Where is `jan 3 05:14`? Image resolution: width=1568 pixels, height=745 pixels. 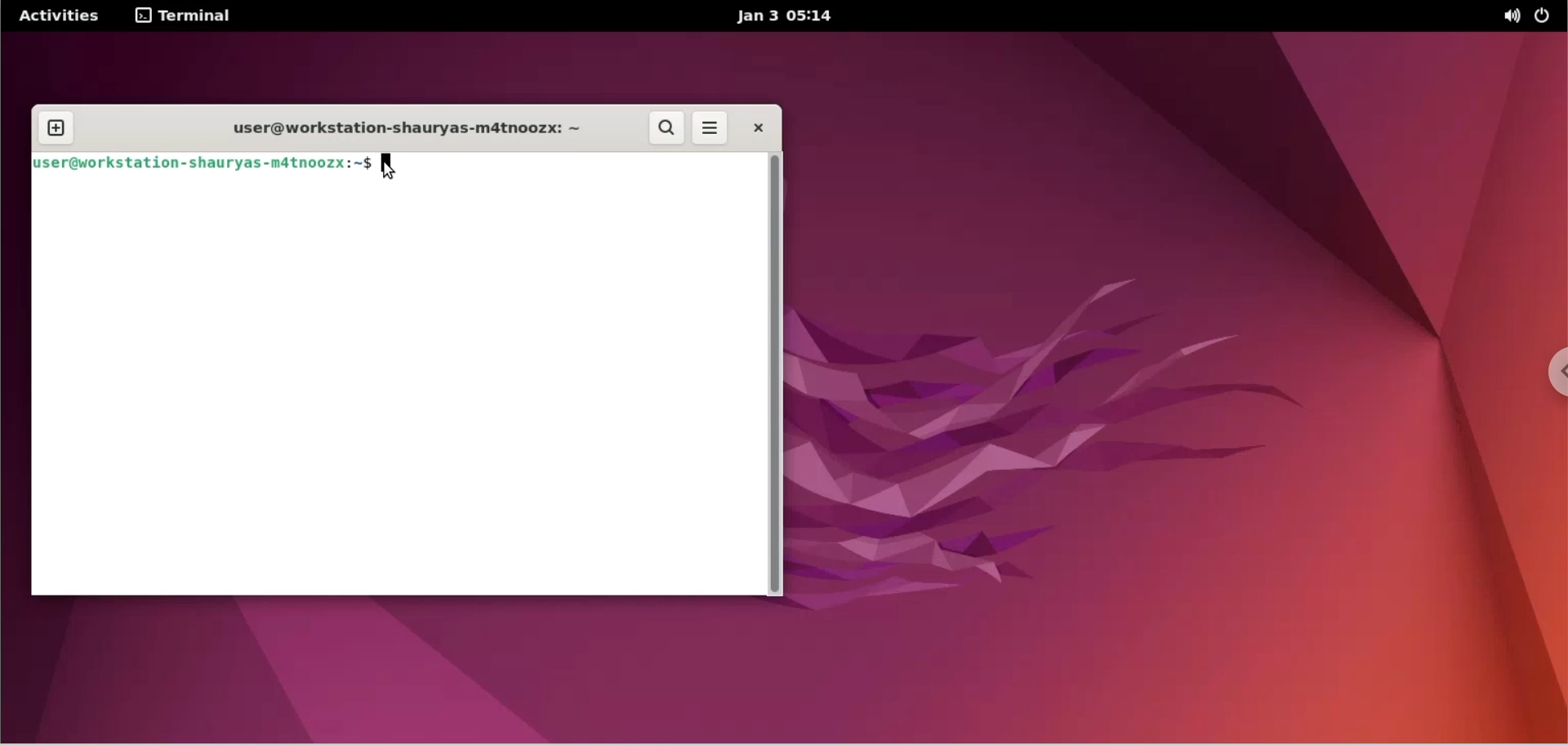 jan 3 05:14 is located at coordinates (785, 17).